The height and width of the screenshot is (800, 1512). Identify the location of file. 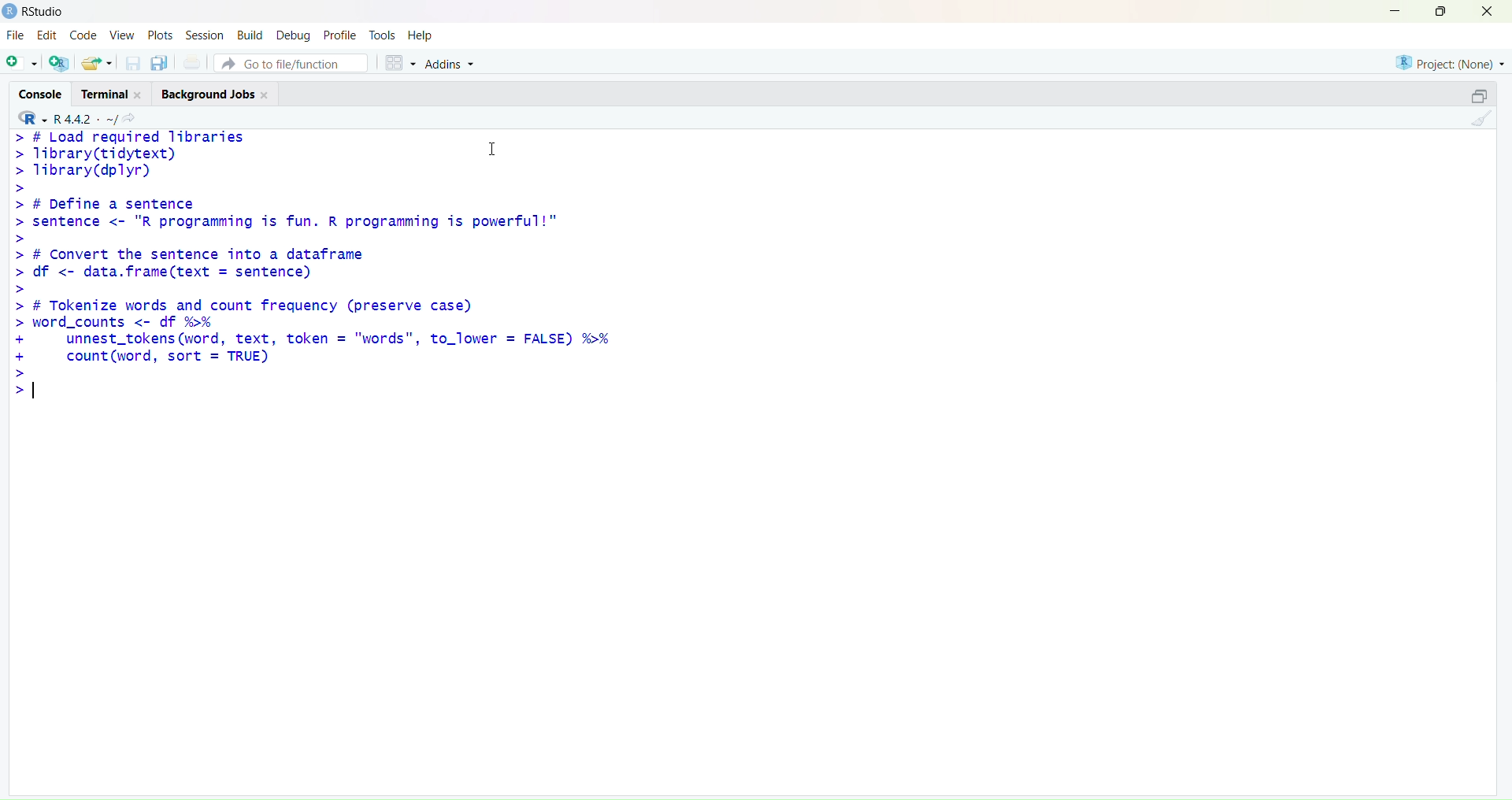
(17, 35).